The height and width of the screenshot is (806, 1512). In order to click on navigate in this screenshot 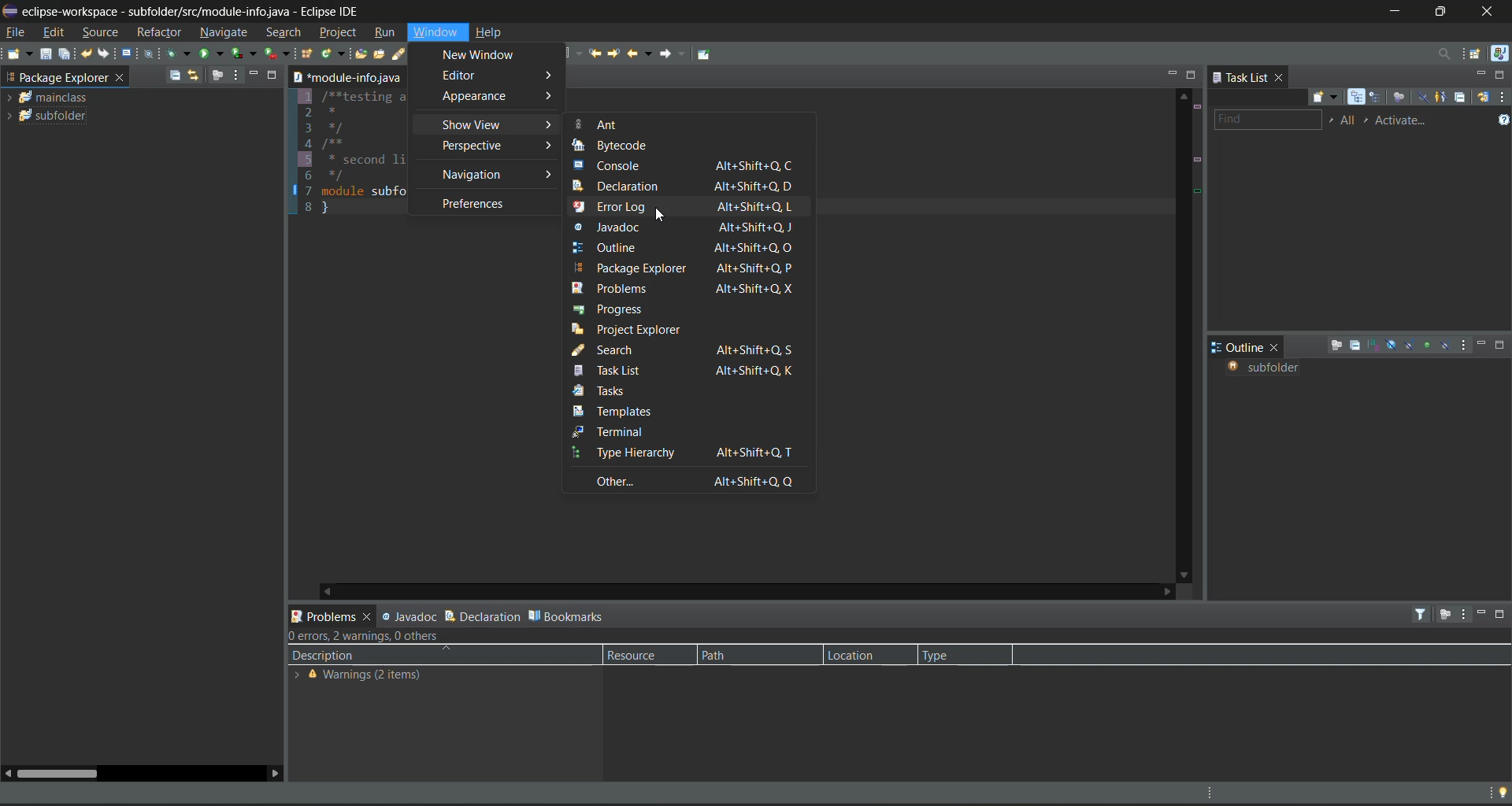, I will do `click(226, 32)`.